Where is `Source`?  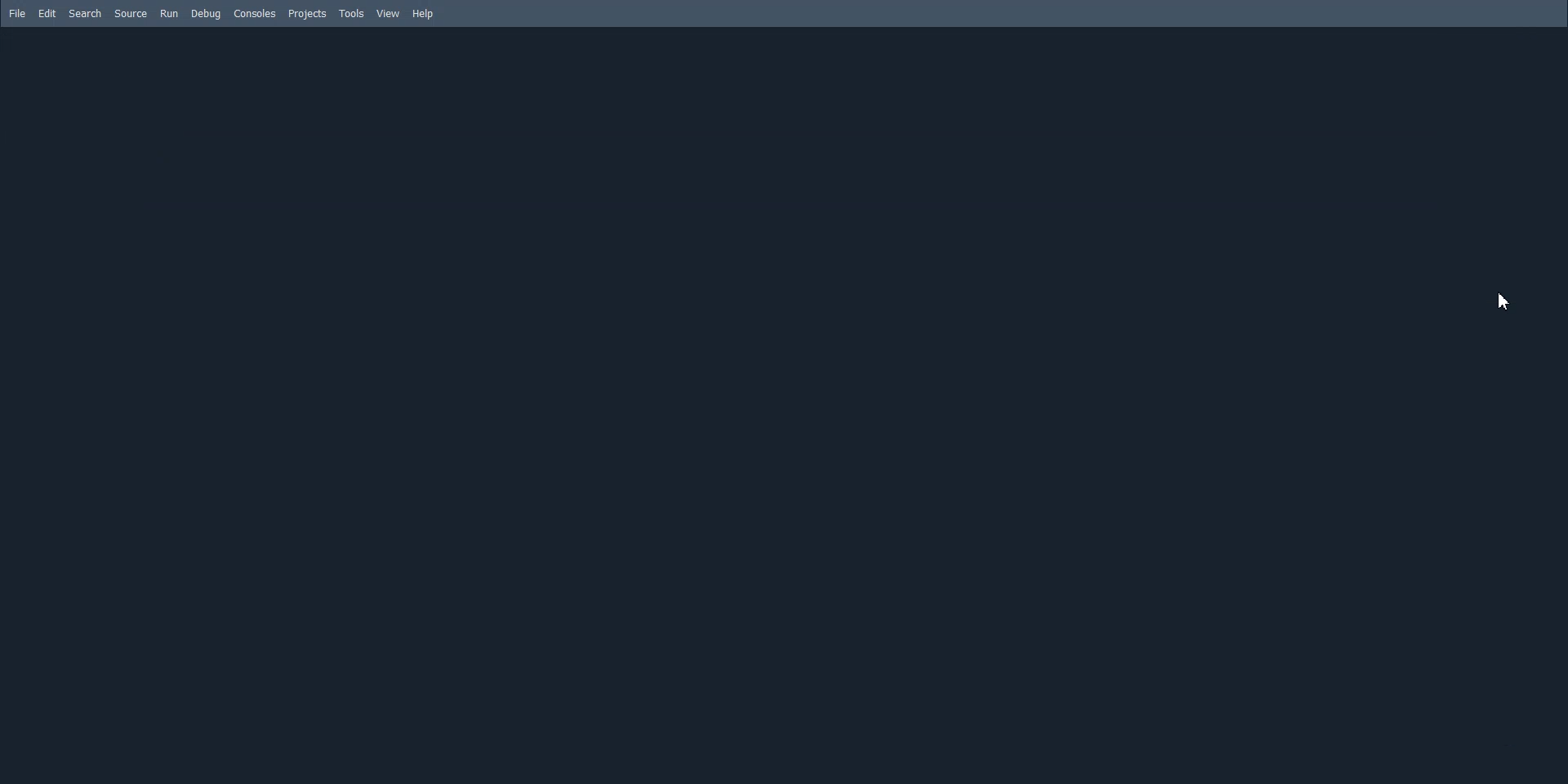 Source is located at coordinates (131, 14).